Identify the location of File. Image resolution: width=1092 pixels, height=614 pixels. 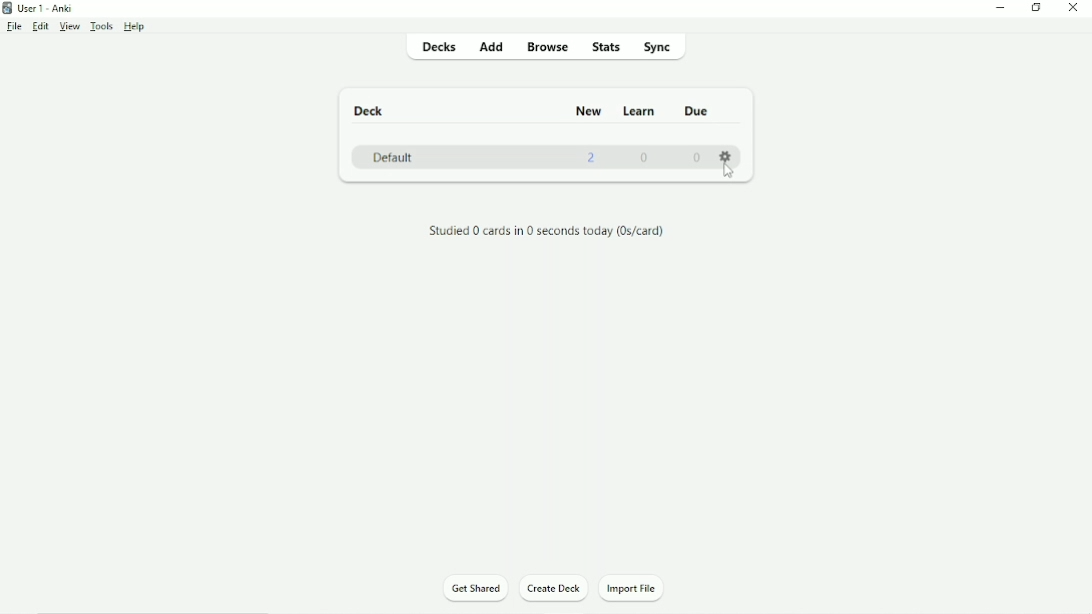
(14, 27).